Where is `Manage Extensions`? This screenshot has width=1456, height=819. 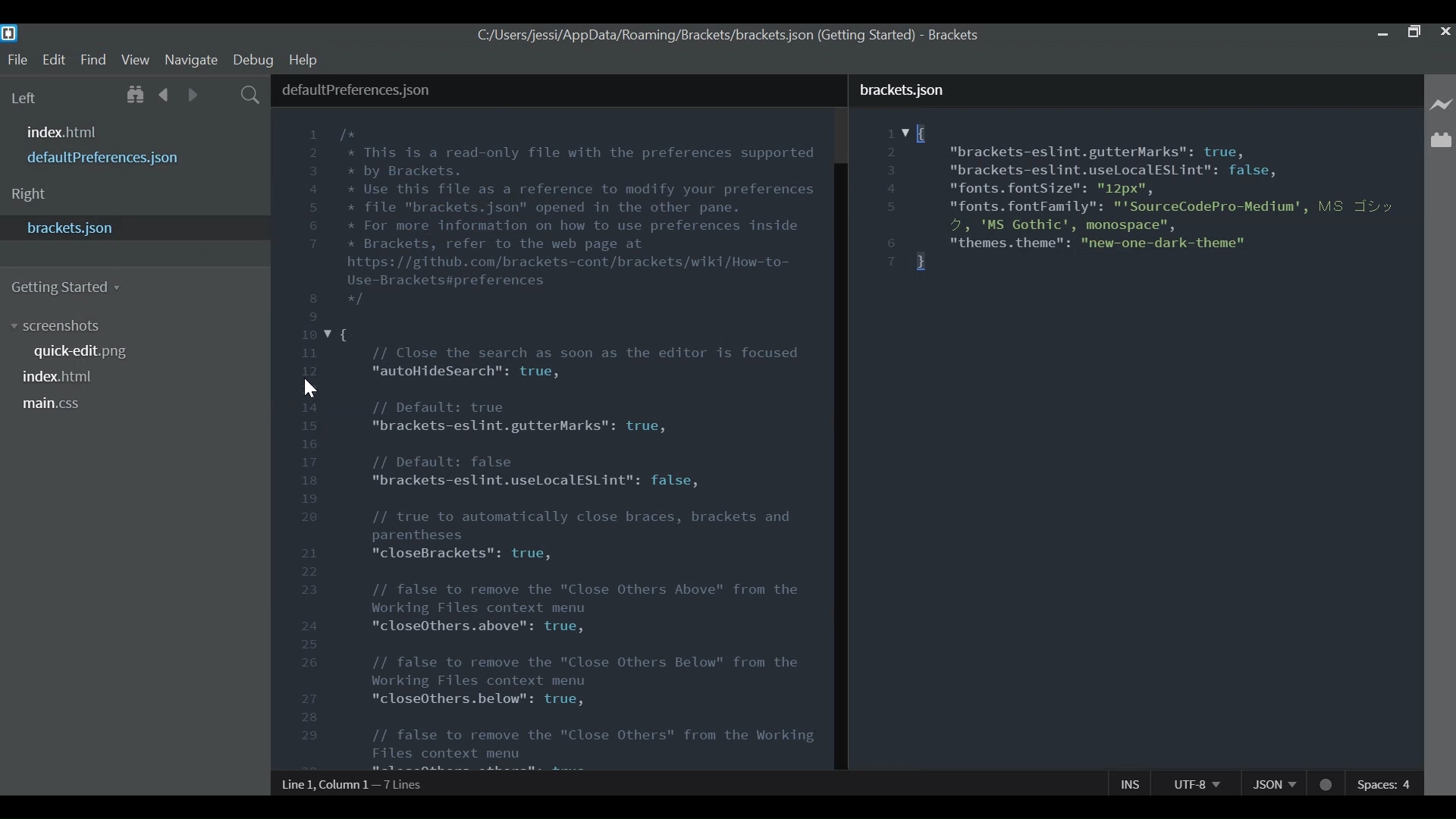
Manage Extensions is located at coordinates (1441, 139).